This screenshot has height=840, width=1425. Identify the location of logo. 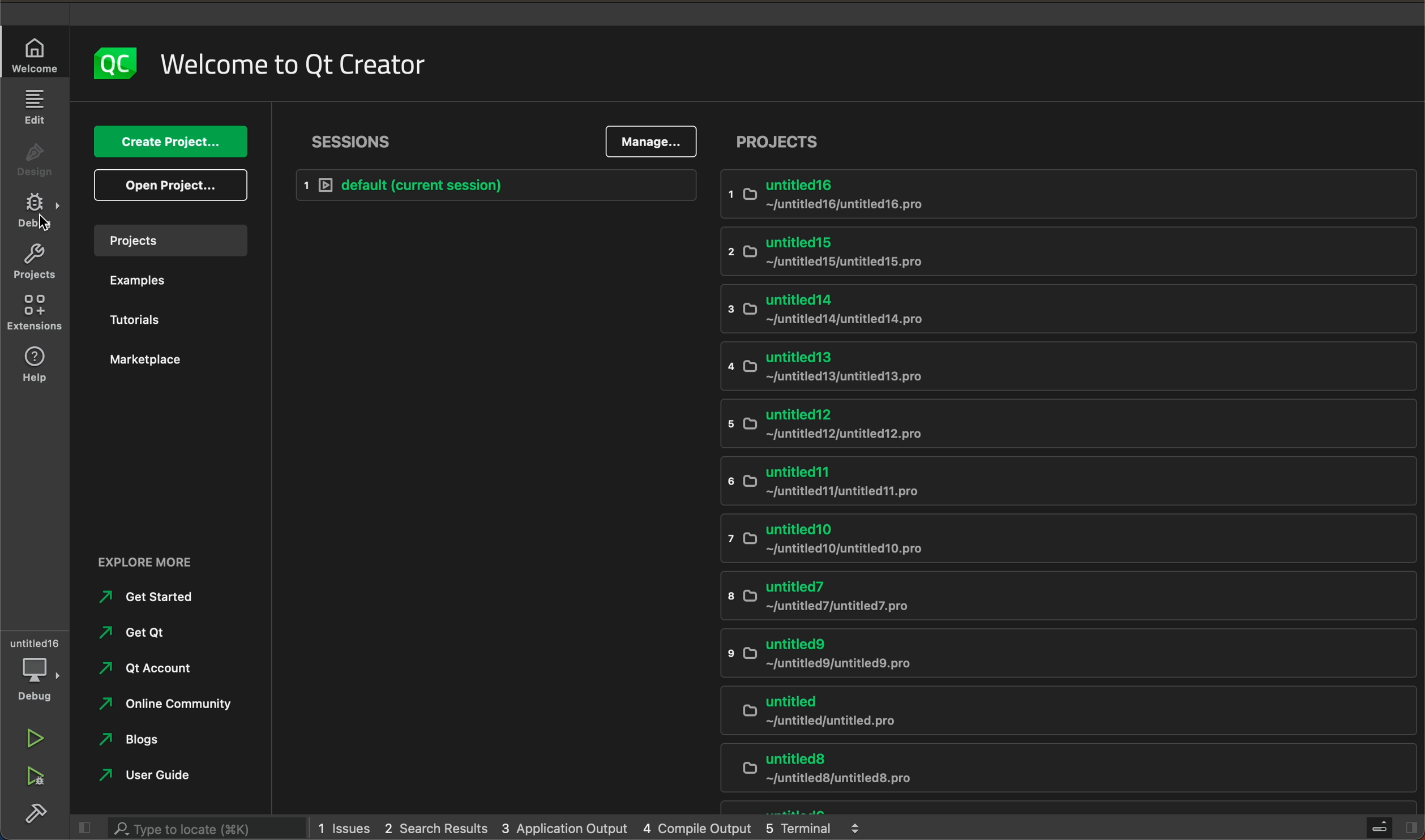
(116, 62).